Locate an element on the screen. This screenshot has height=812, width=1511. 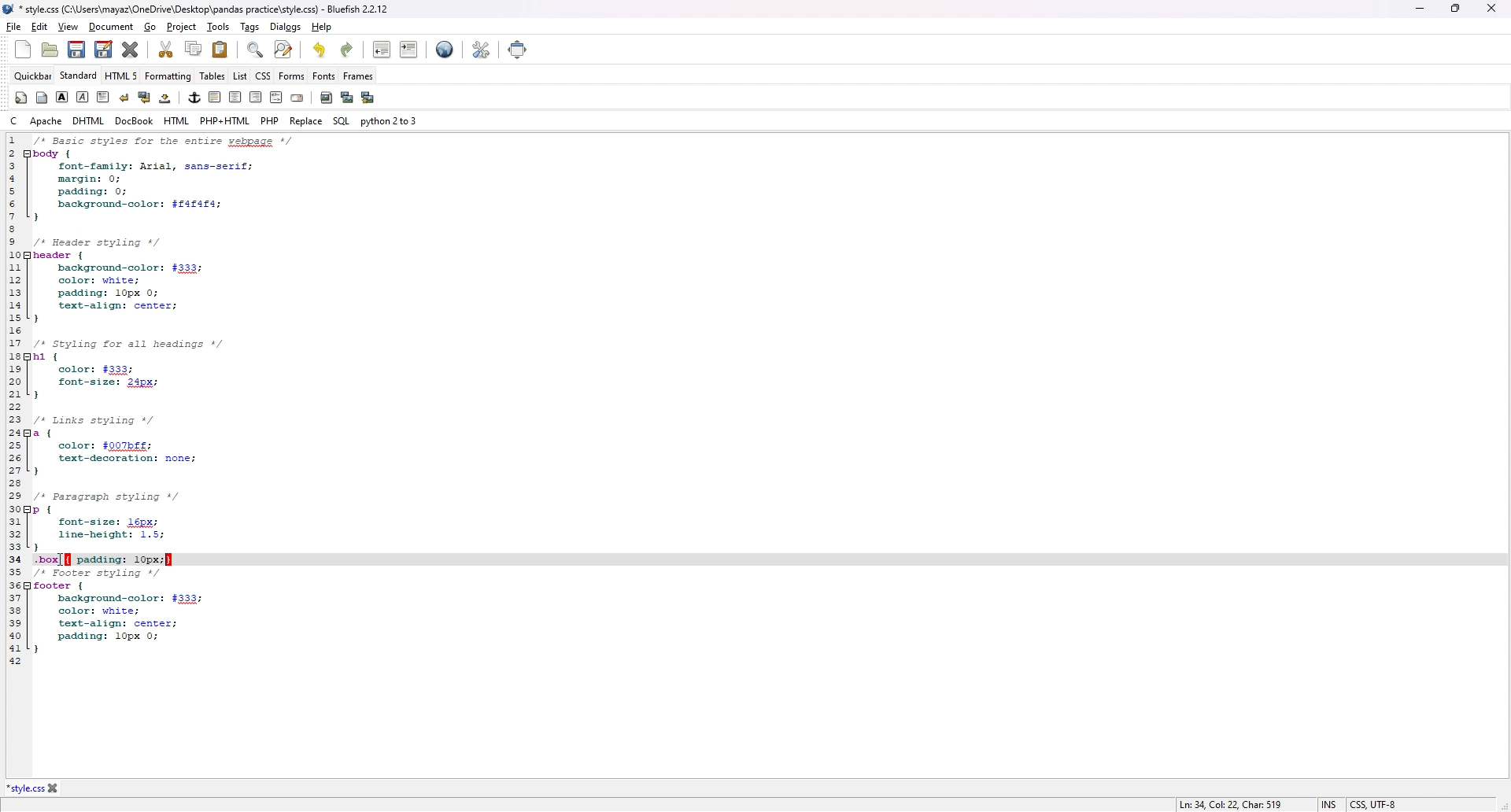
quickbar is located at coordinates (33, 76).